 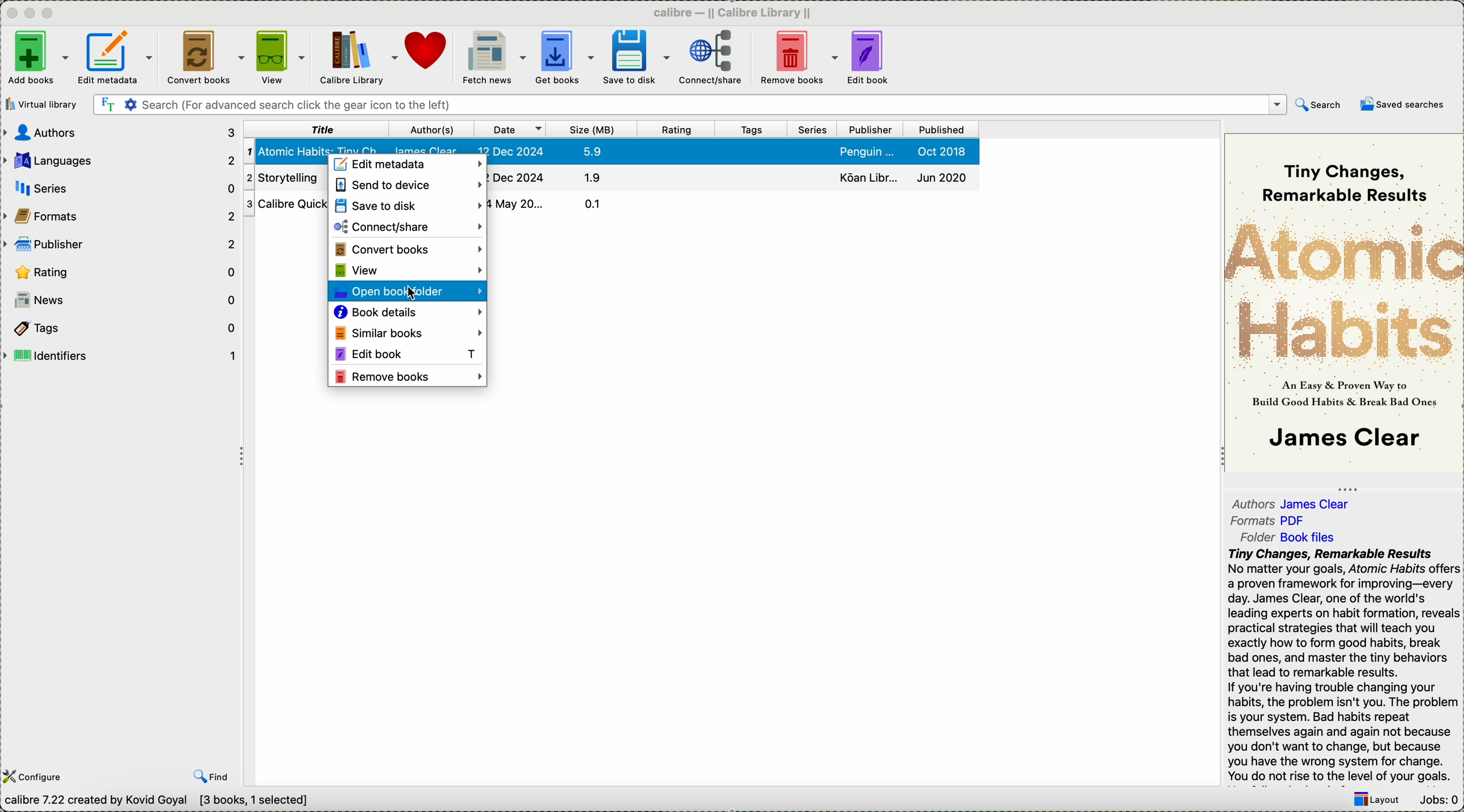 What do you see at coordinates (1437, 801) in the screenshot?
I see `Jobs: 0` at bounding box center [1437, 801].